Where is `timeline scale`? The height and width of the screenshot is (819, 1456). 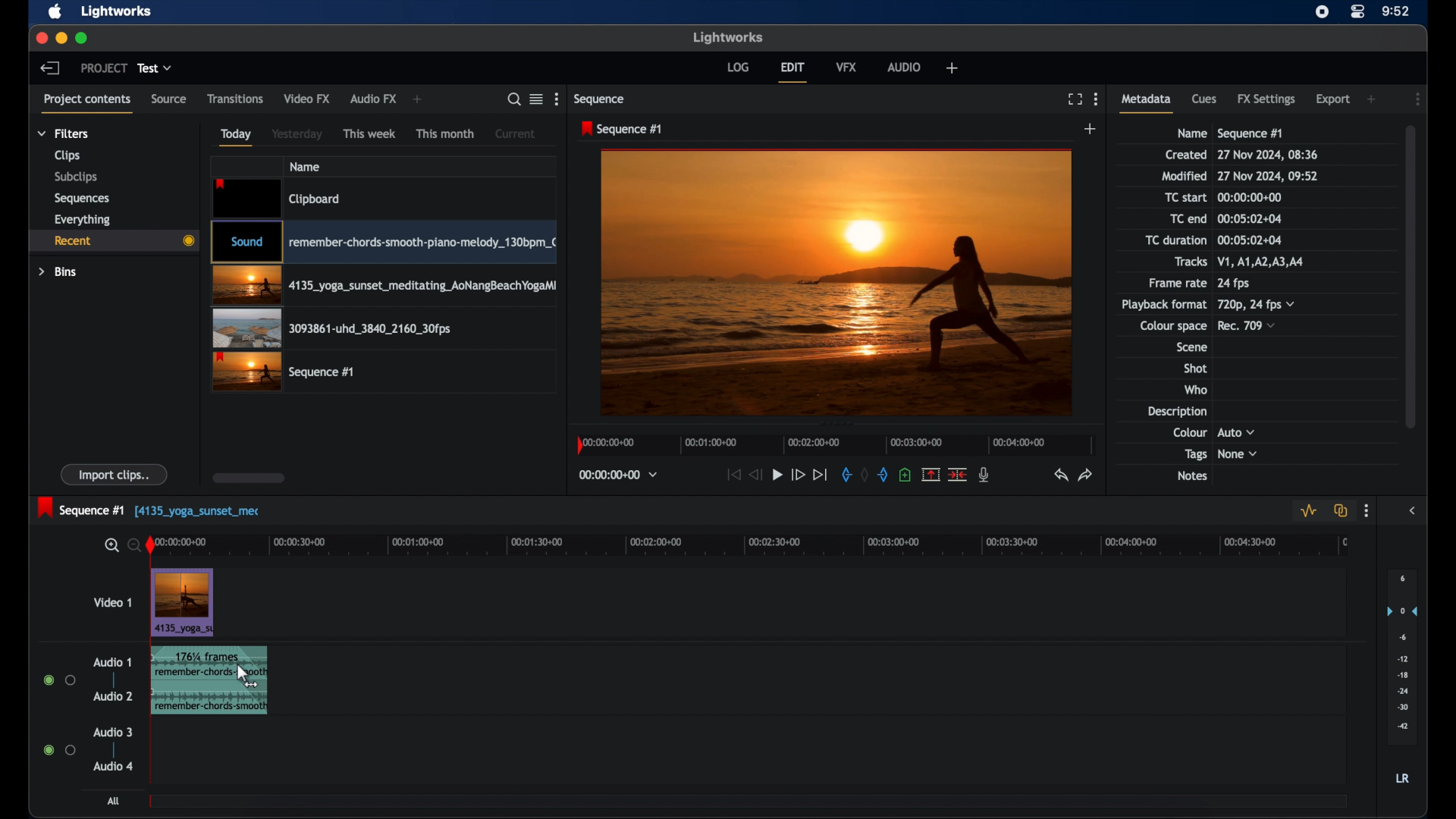 timeline scale is located at coordinates (836, 445).